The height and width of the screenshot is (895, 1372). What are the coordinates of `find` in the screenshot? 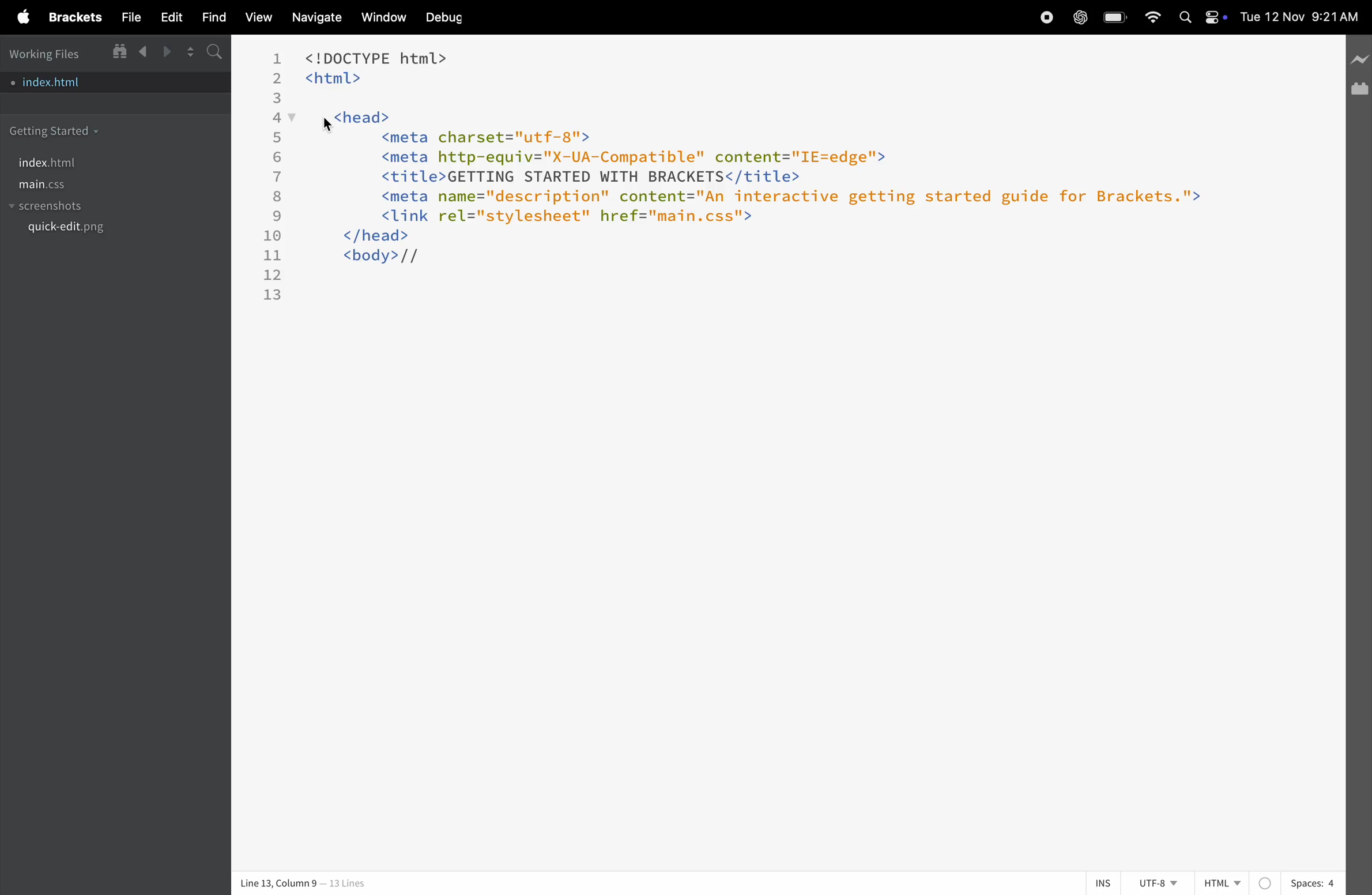 It's located at (209, 17).